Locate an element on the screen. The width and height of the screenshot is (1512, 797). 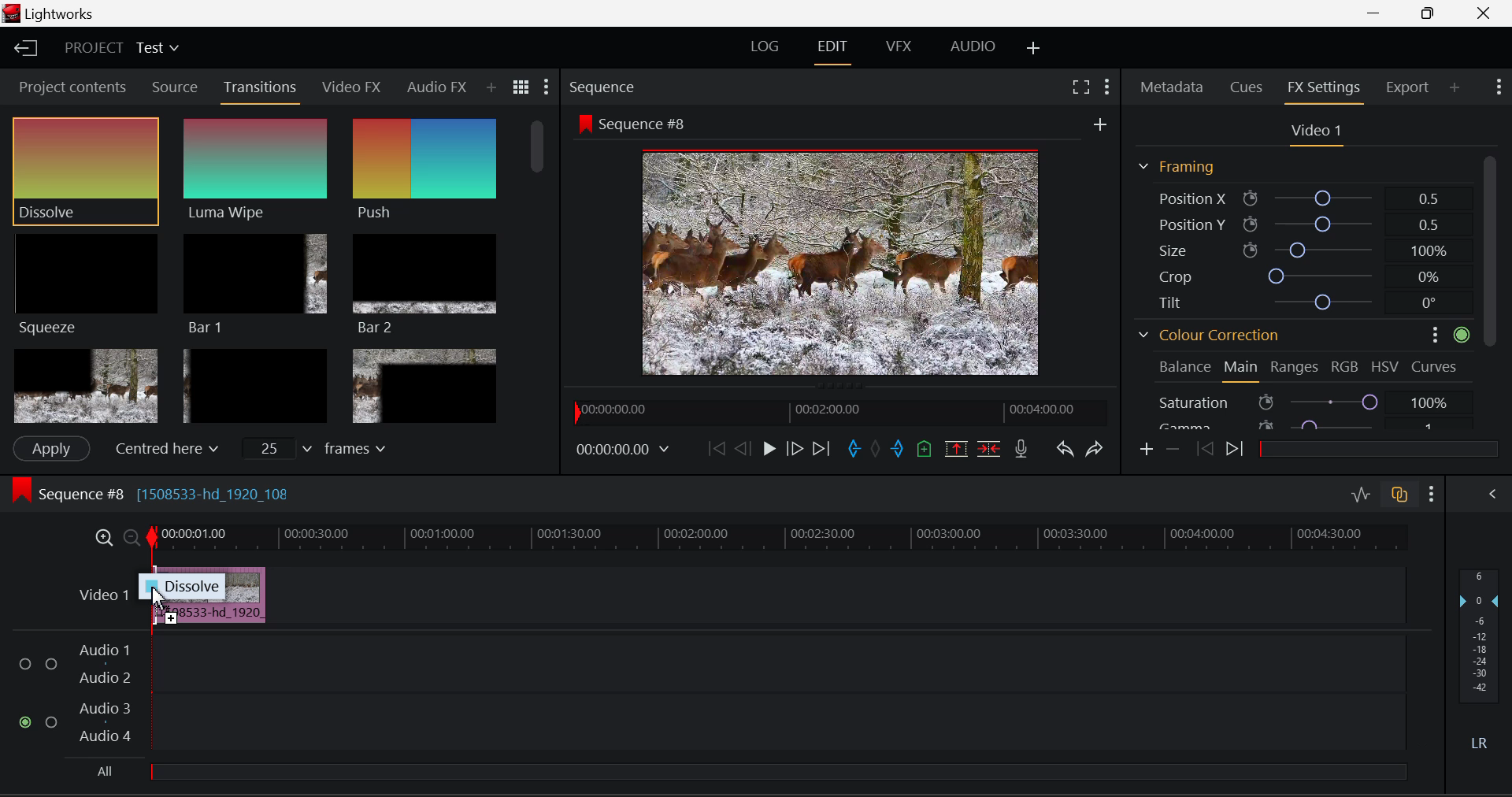
Audio 1 is located at coordinates (104, 651).